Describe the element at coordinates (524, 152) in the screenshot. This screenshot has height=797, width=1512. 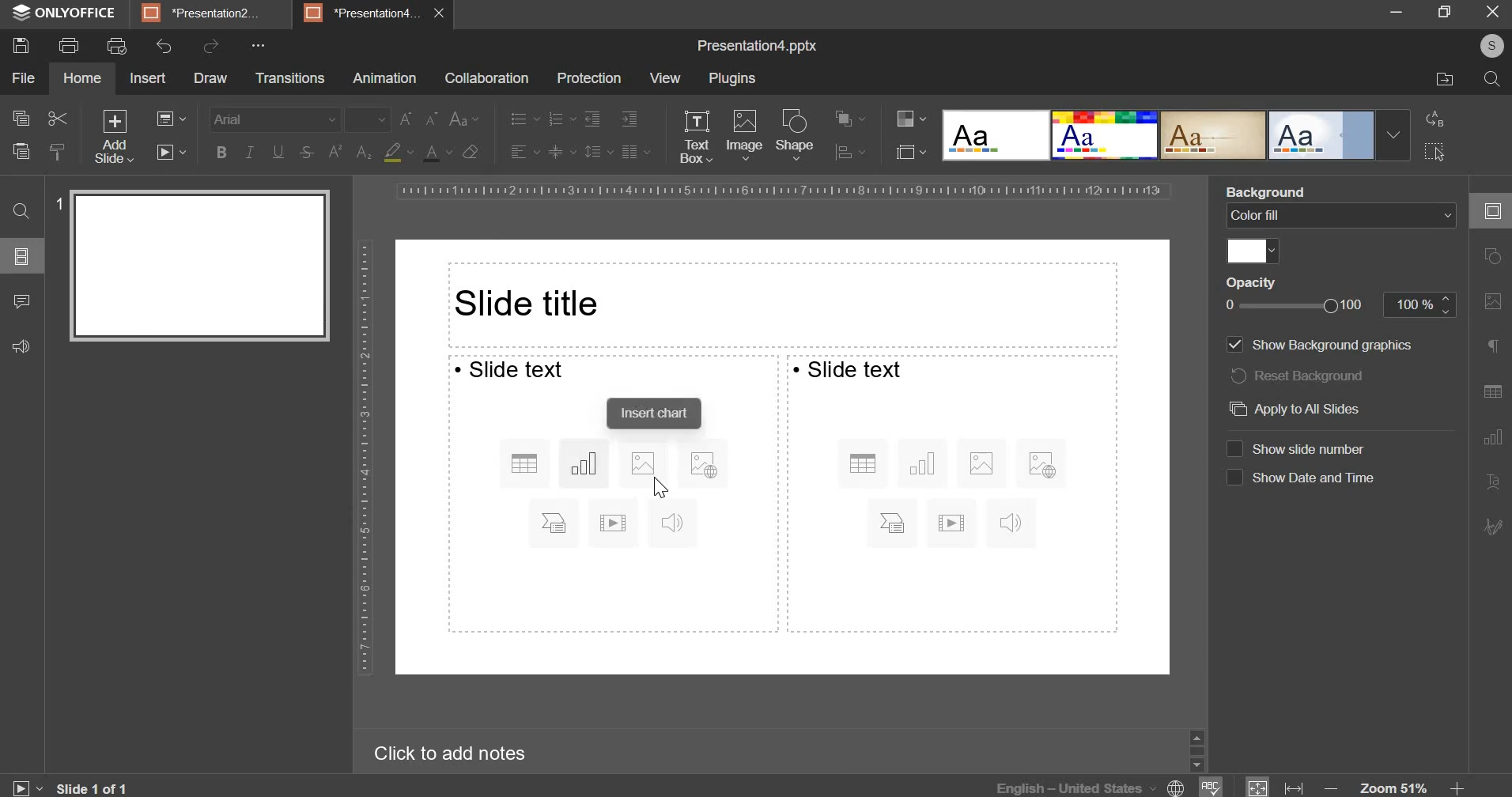
I see `horizontal alignment` at that location.